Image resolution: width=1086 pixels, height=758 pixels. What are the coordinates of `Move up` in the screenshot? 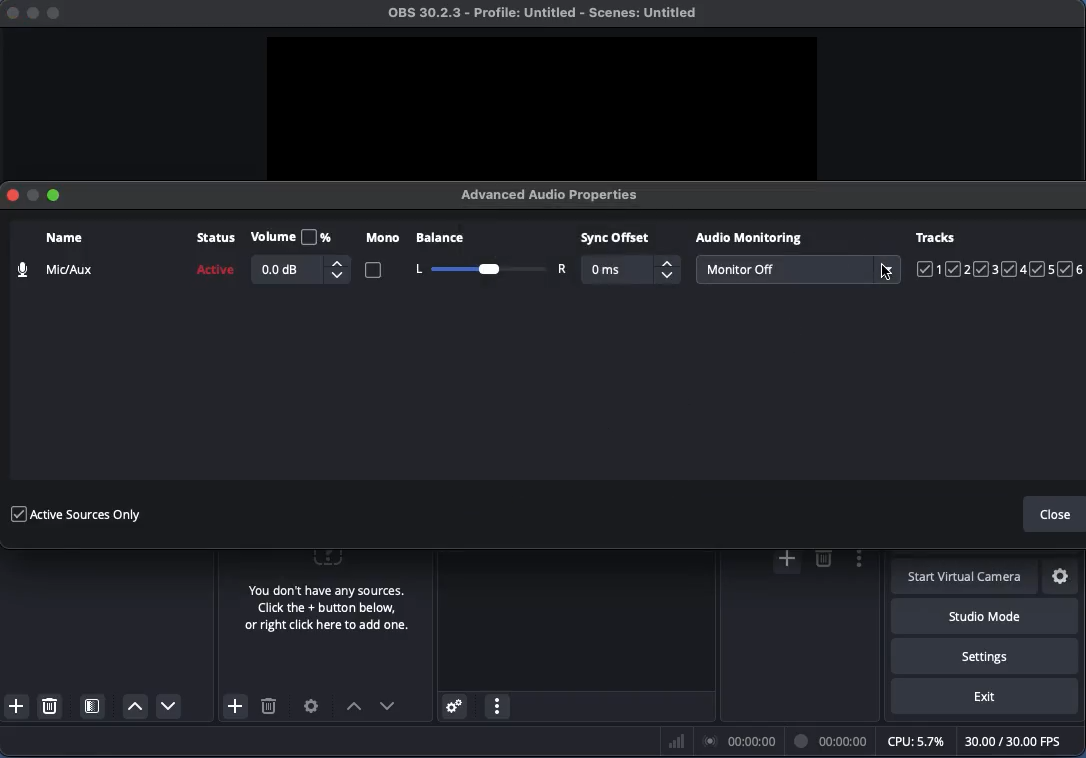 It's located at (135, 707).